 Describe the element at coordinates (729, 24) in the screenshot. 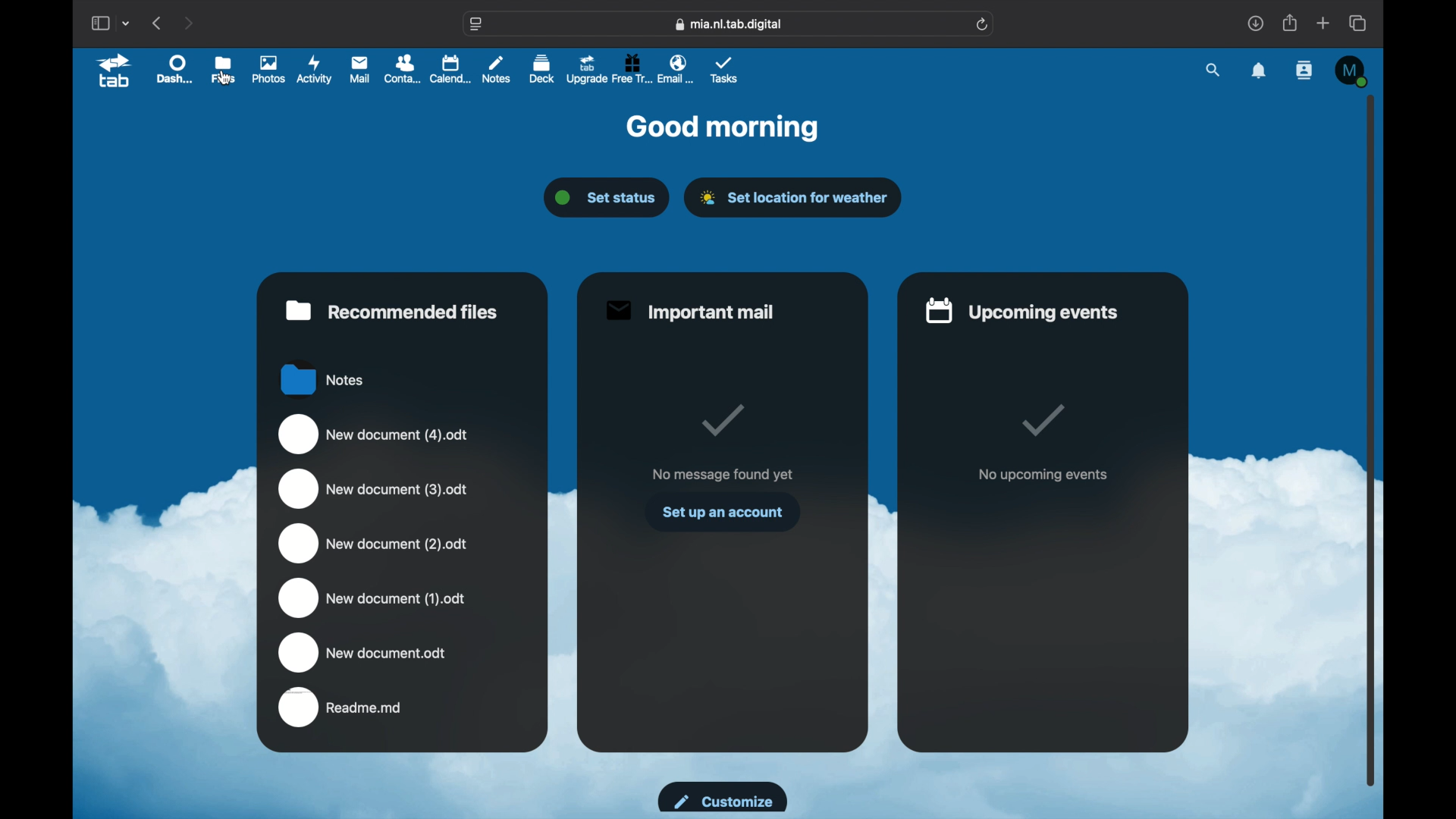

I see `web address` at that location.